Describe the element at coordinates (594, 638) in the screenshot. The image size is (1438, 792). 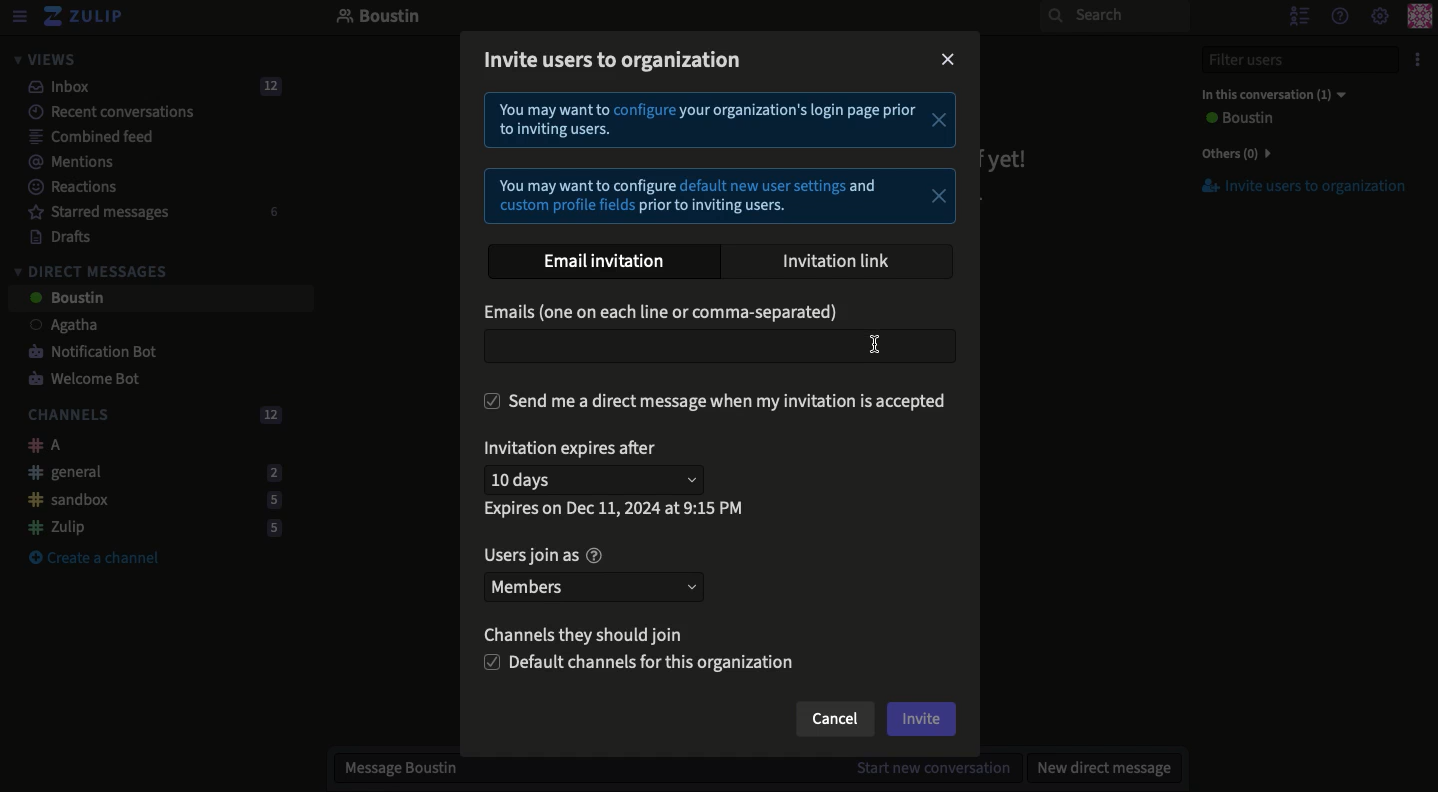
I see `Channels they should join` at that location.